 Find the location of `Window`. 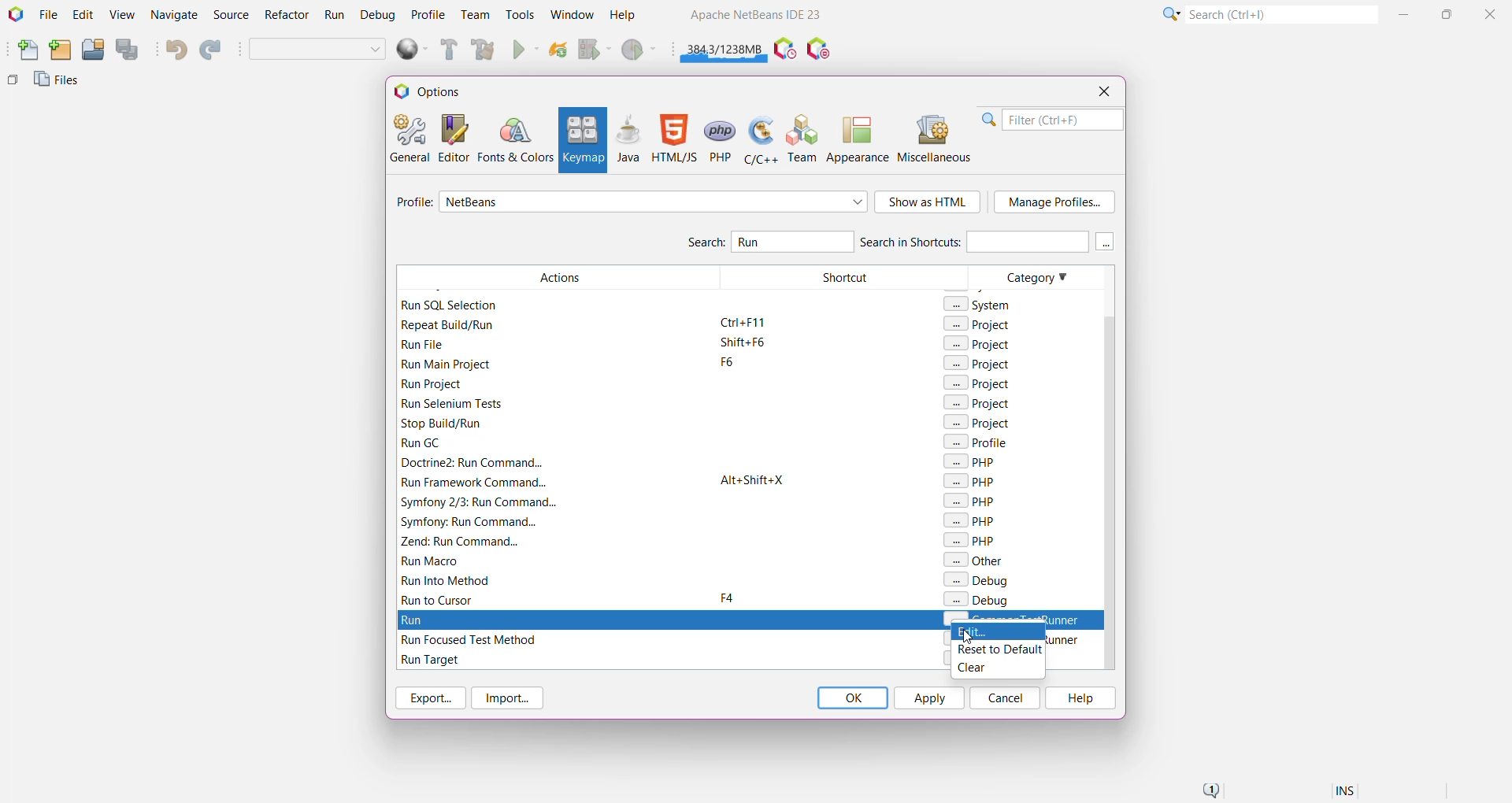

Window is located at coordinates (572, 14).